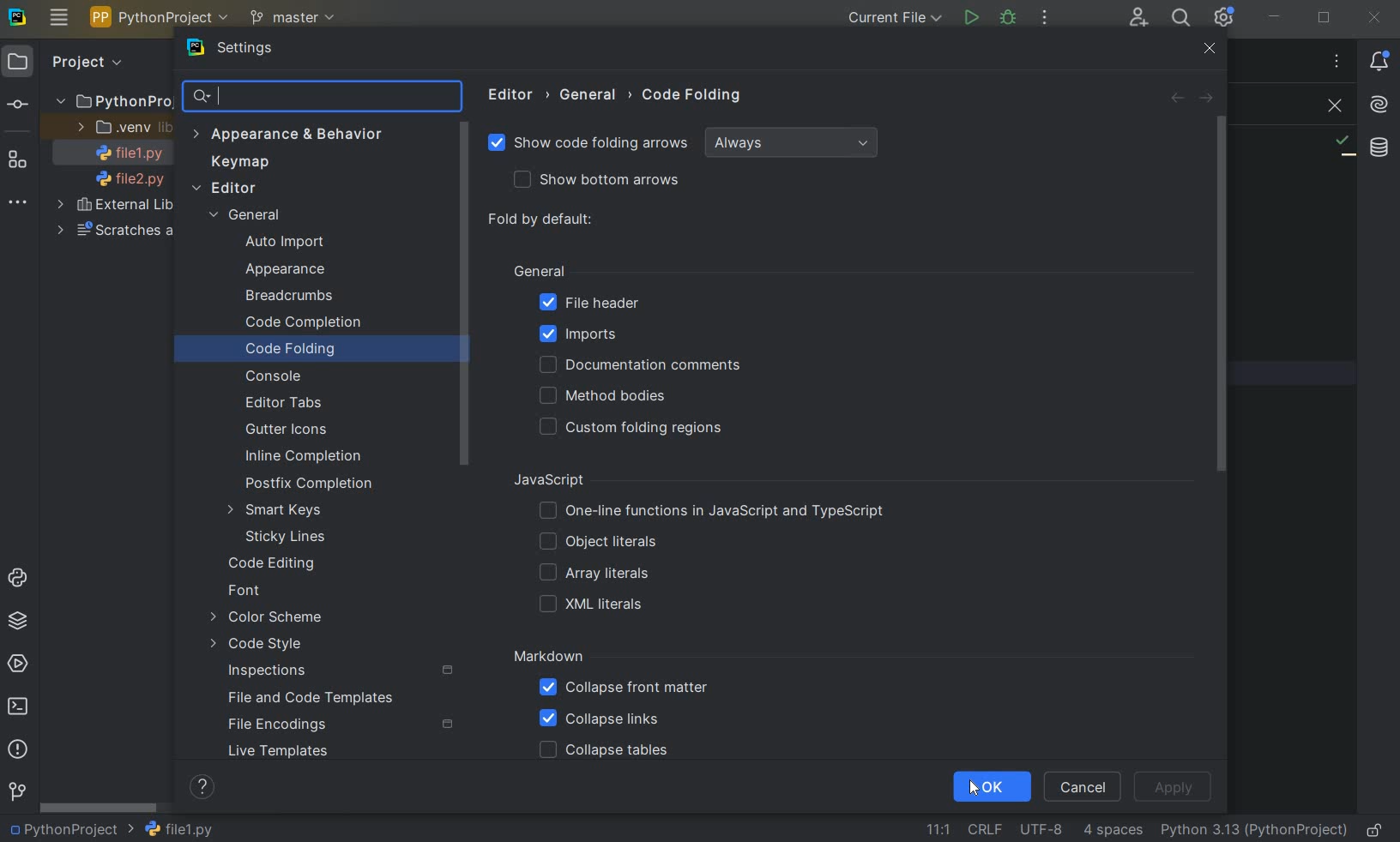 This screenshot has height=842, width=1400. I want to click on APPLY, so click(1174, 786).